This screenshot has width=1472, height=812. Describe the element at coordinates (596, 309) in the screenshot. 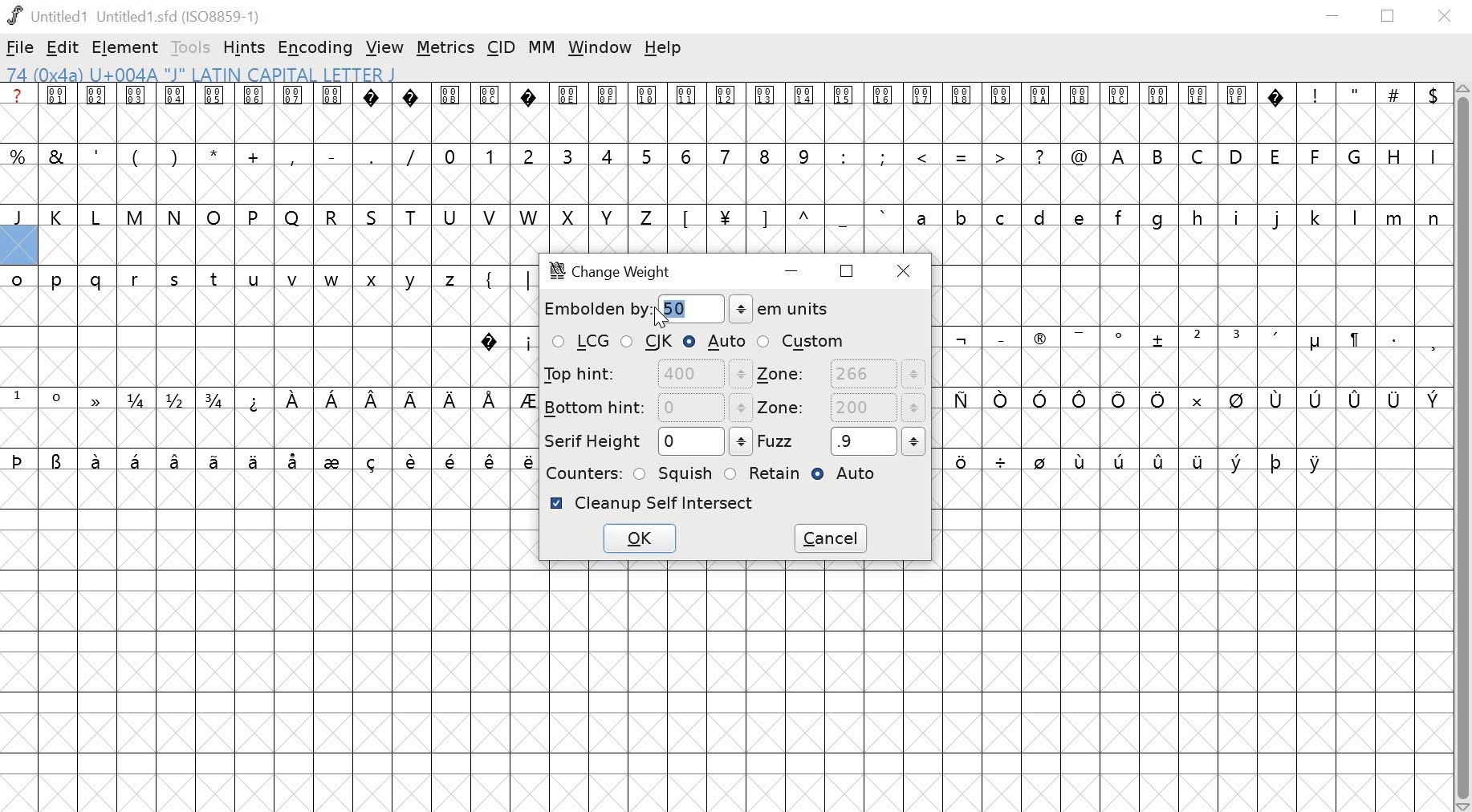

I see `embolden by` at that location.